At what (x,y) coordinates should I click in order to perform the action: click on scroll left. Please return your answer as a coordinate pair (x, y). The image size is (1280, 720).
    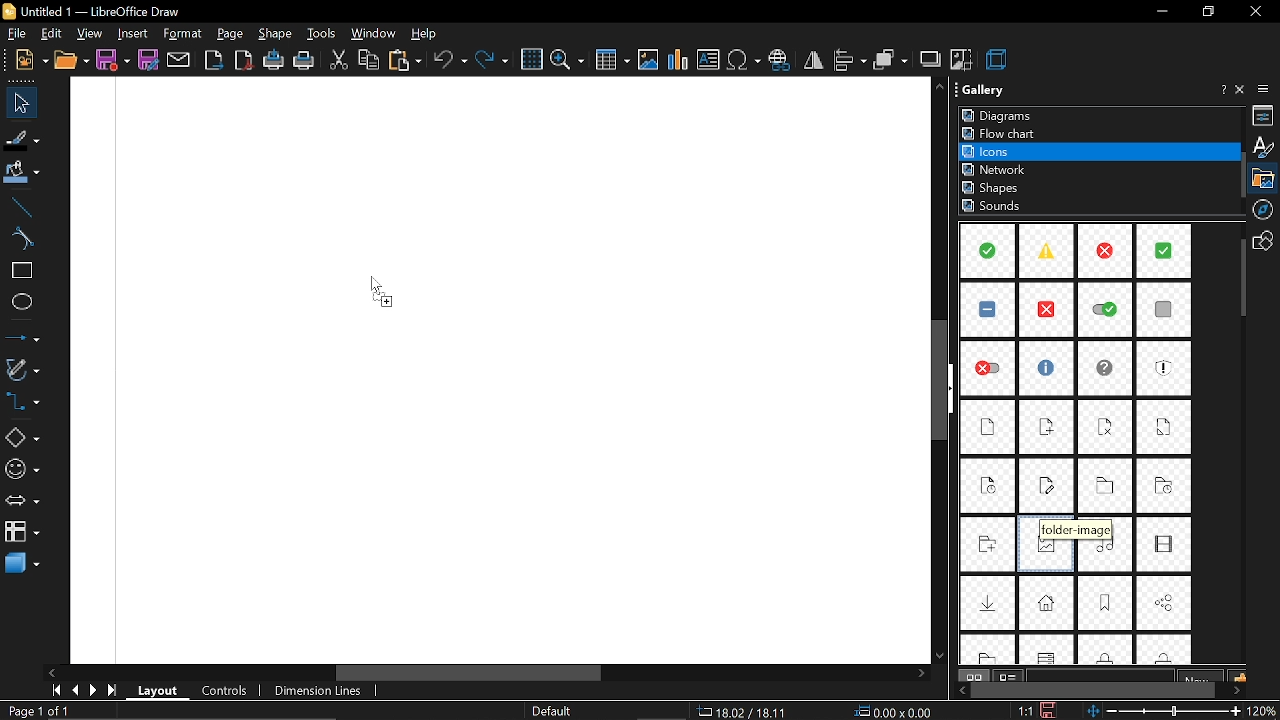
    Looking at the image, I should click on (54, 673).